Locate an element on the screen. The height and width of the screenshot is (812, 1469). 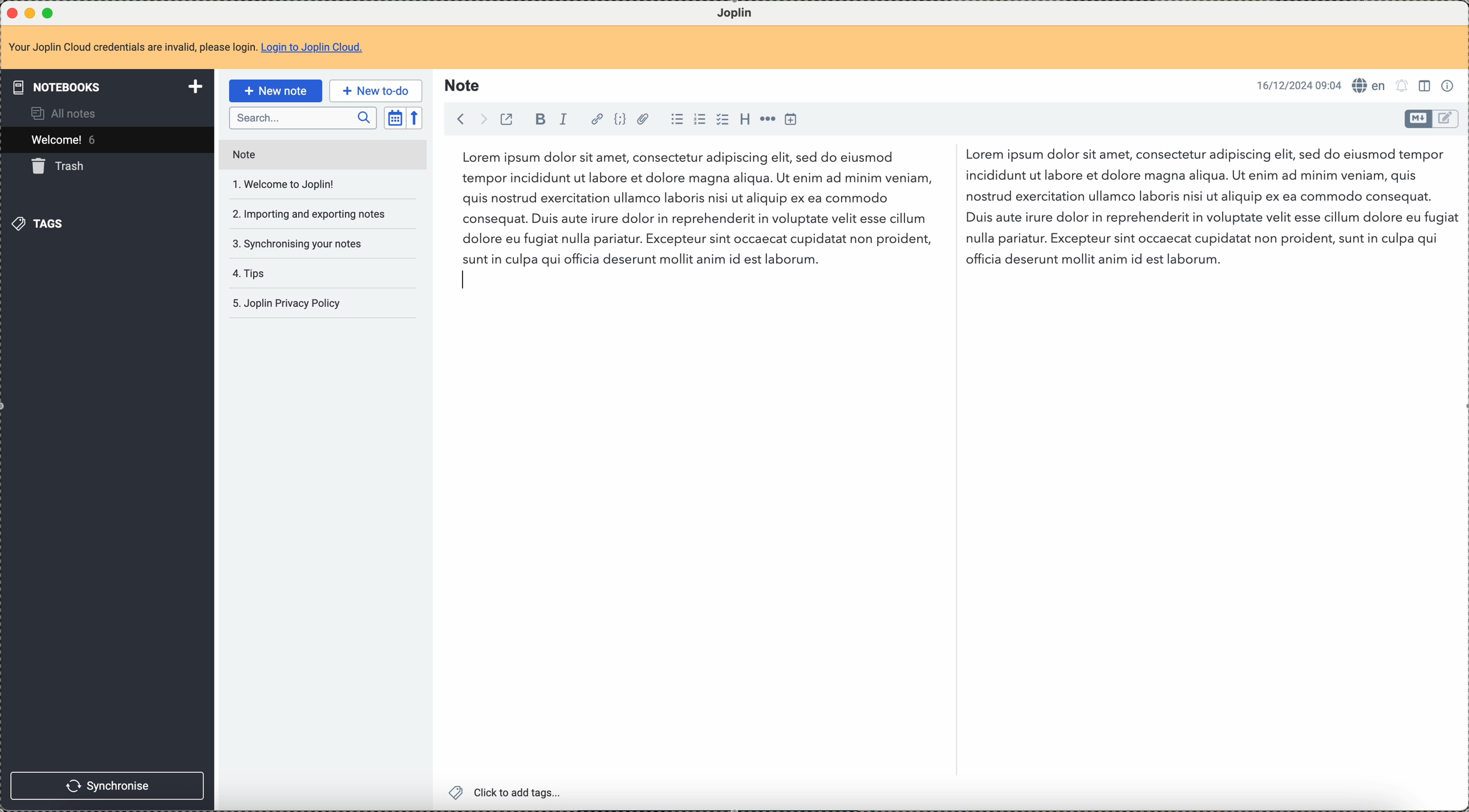
synchronise is located at coordinates (108, 786).